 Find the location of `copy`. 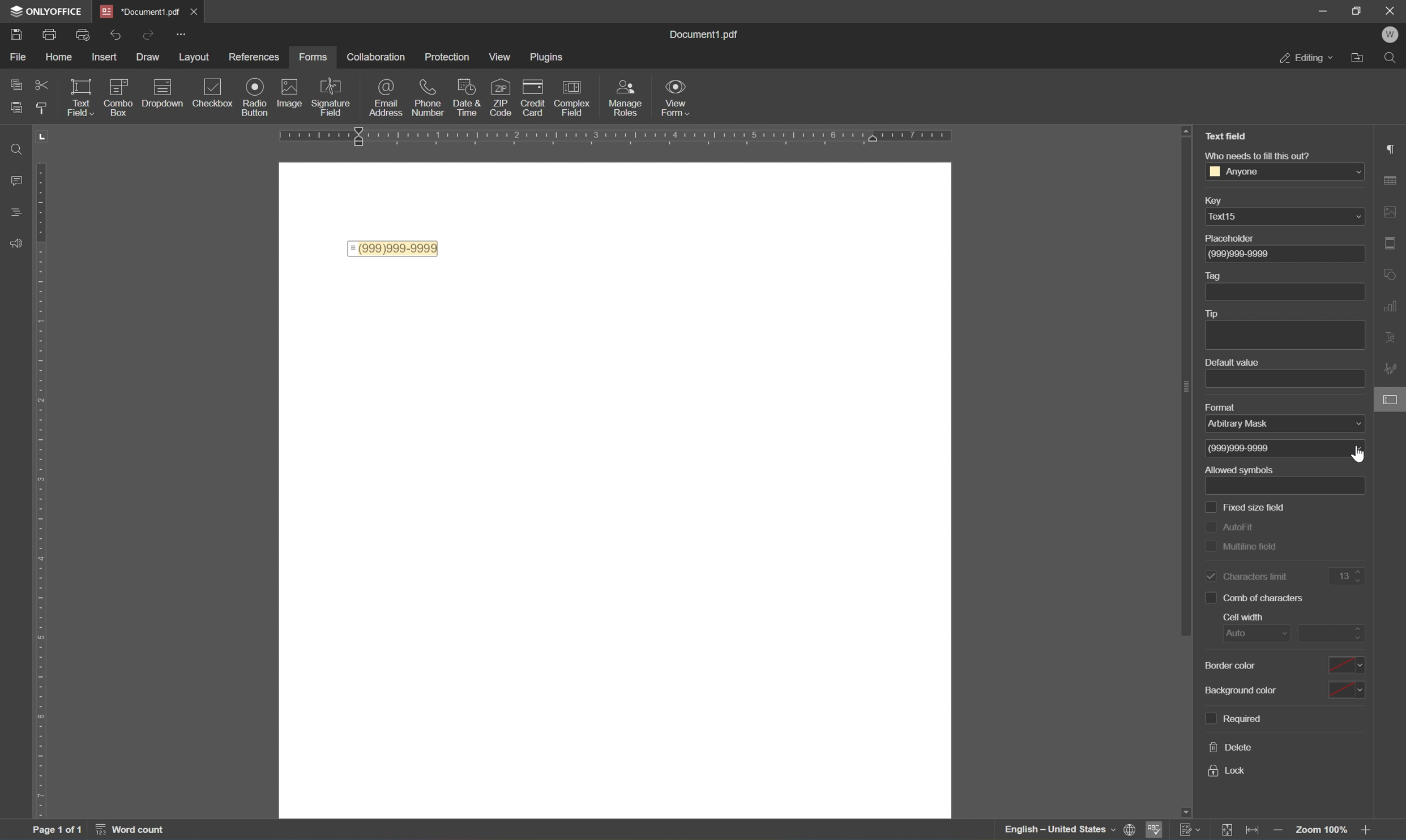

copy is located at coordinates (11, 84).